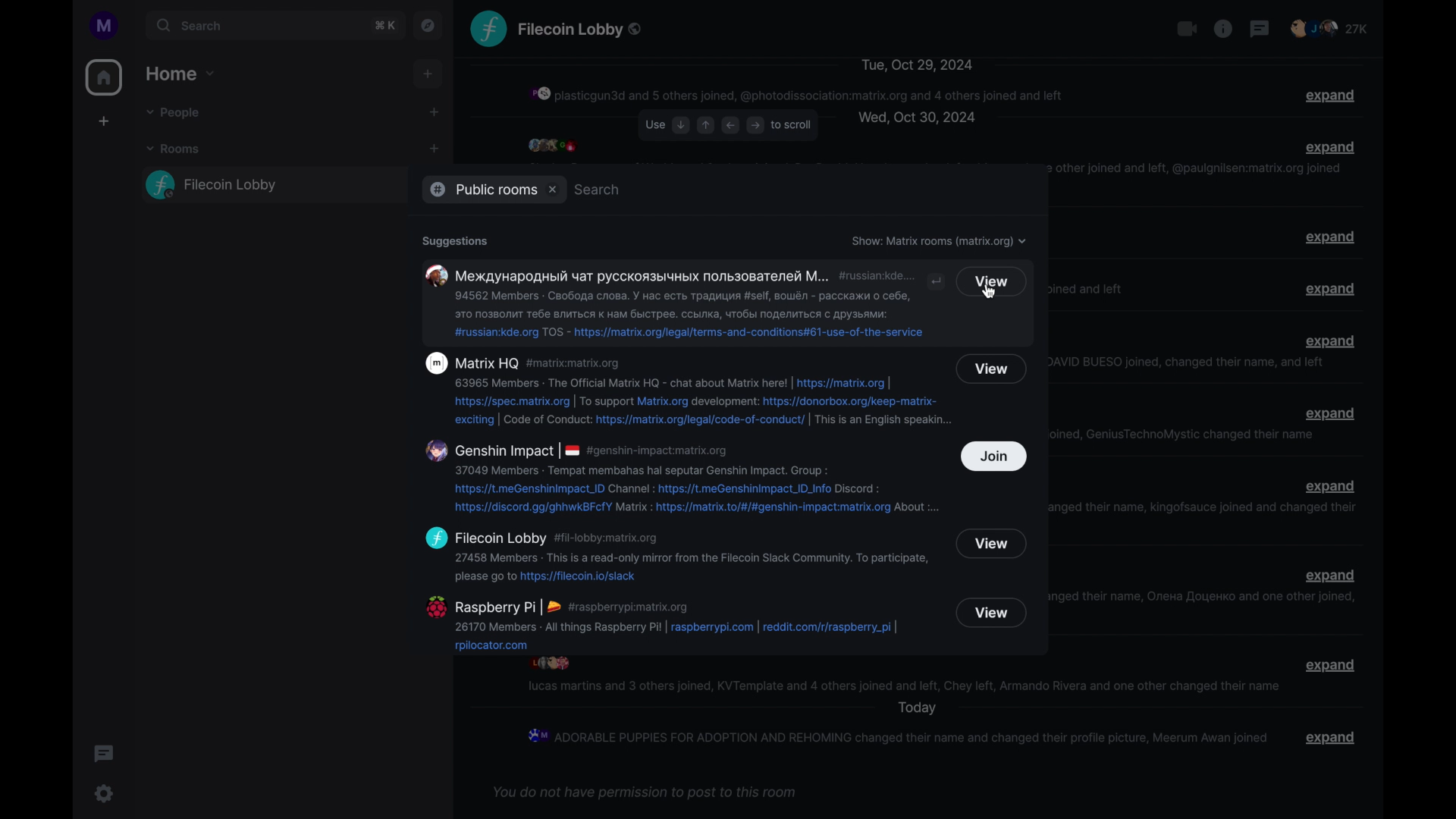  I want to click on people dropdown, so click(175, 115).